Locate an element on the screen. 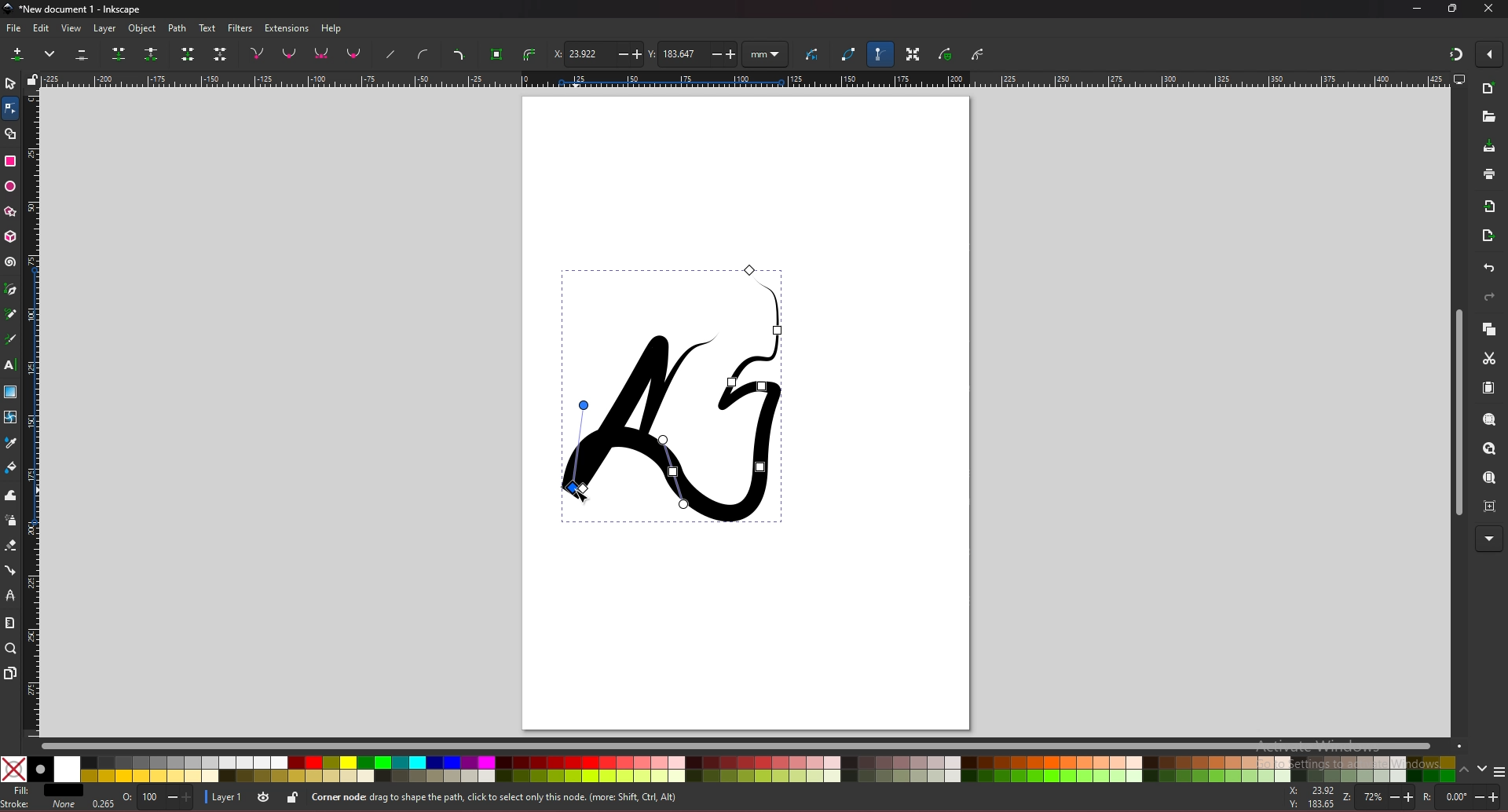 This screenshot has height=812, width=1508. add node is located at coordinates (20, 53).